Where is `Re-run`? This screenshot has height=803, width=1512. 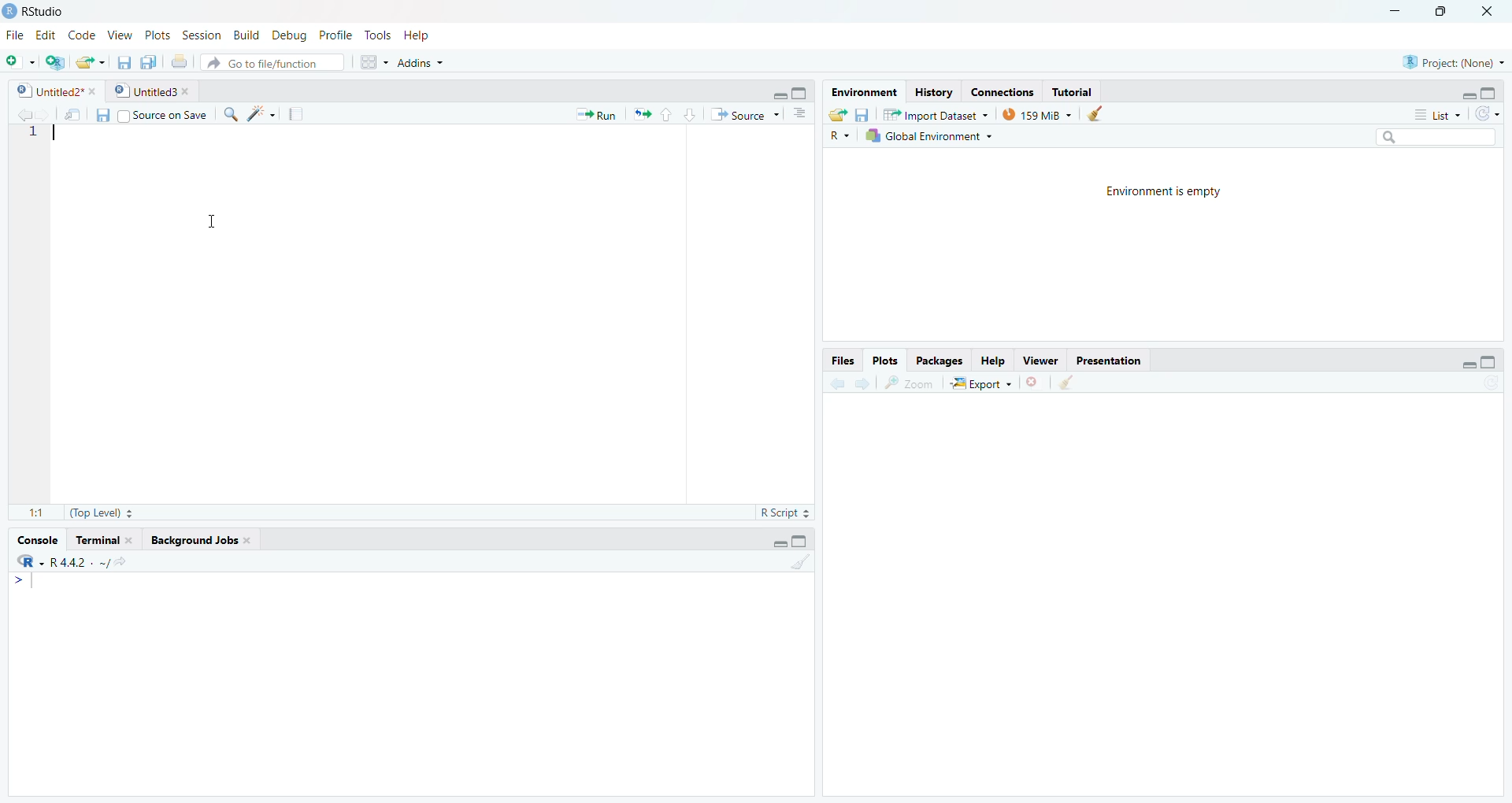
Re-run is located at coordinates (641, 115).